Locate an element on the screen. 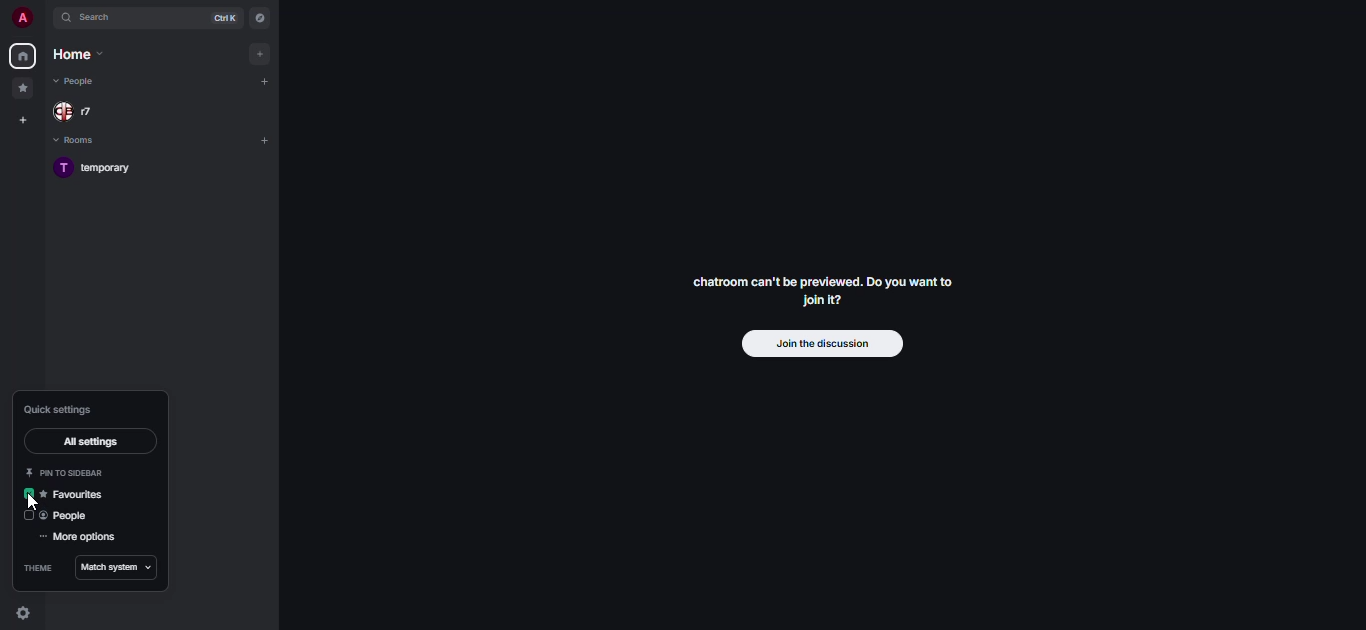 This screenshot has width=1366, height=630. click to enable is located at coordinates (28, 516).